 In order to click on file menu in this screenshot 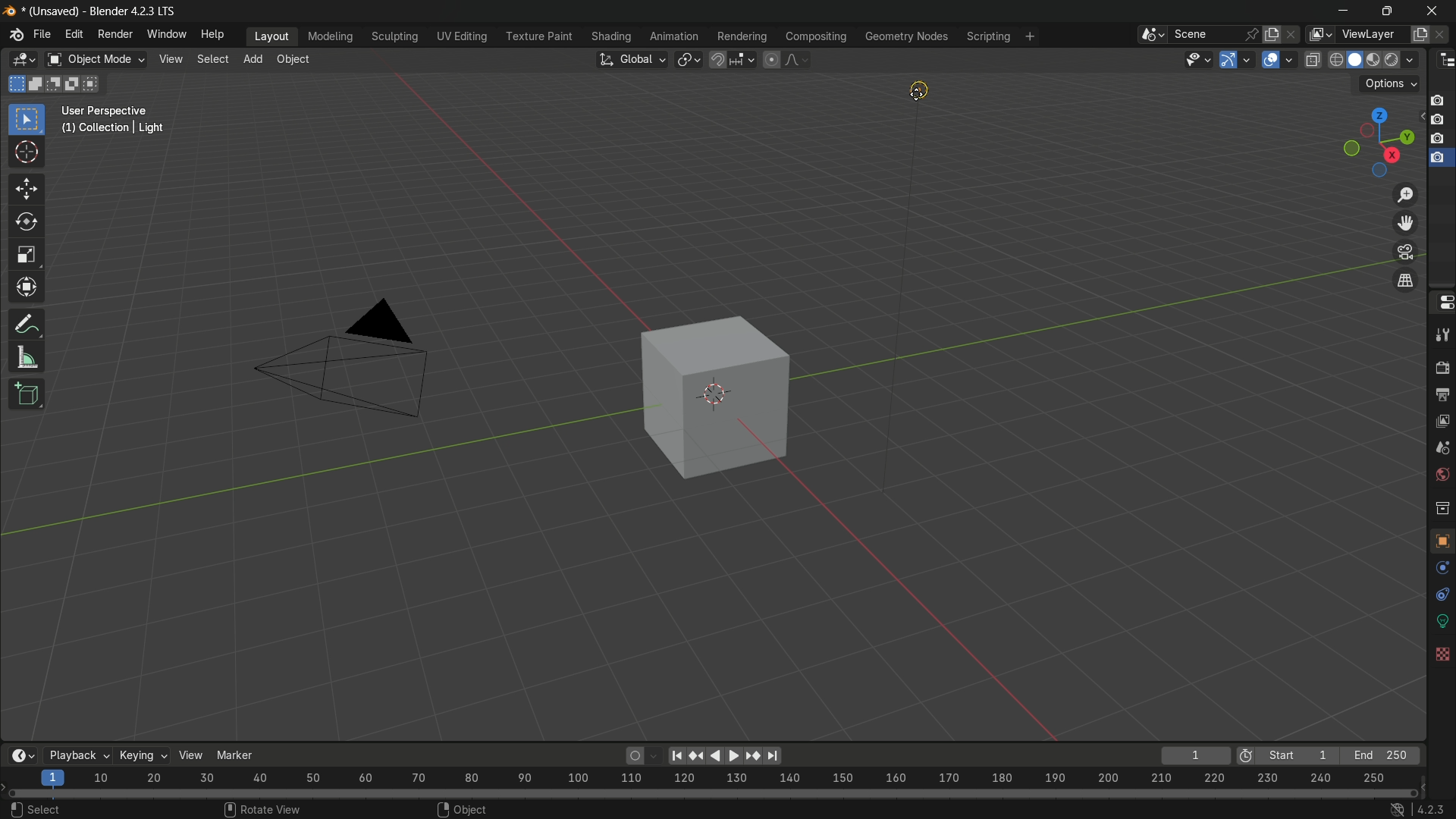, I will do `click(42, 36)`.